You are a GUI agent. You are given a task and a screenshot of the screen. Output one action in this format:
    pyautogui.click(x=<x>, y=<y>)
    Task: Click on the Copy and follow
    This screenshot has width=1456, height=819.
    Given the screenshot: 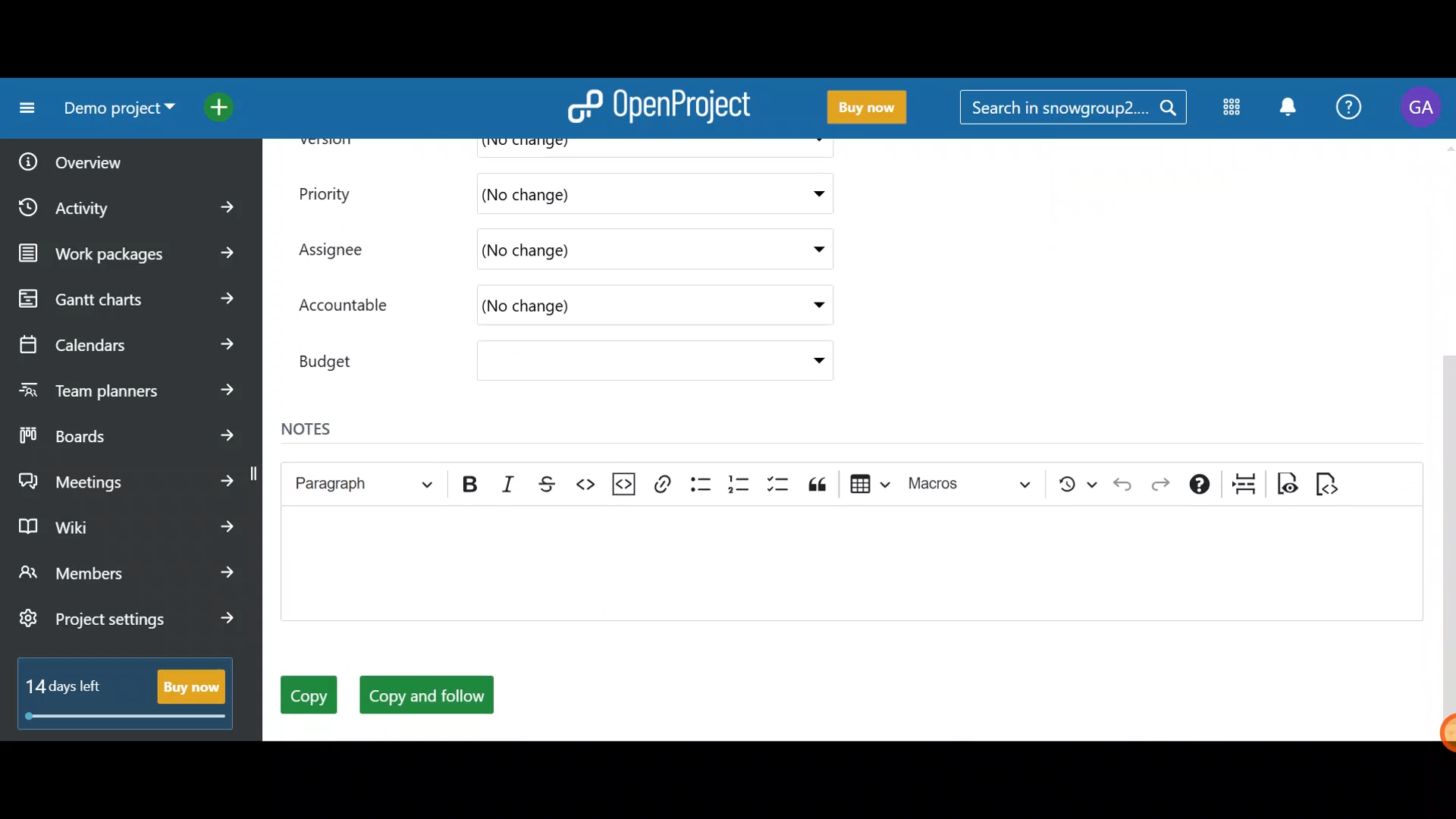 What is the action you would take?
    pyautogui.click(x=425, y=694)
    